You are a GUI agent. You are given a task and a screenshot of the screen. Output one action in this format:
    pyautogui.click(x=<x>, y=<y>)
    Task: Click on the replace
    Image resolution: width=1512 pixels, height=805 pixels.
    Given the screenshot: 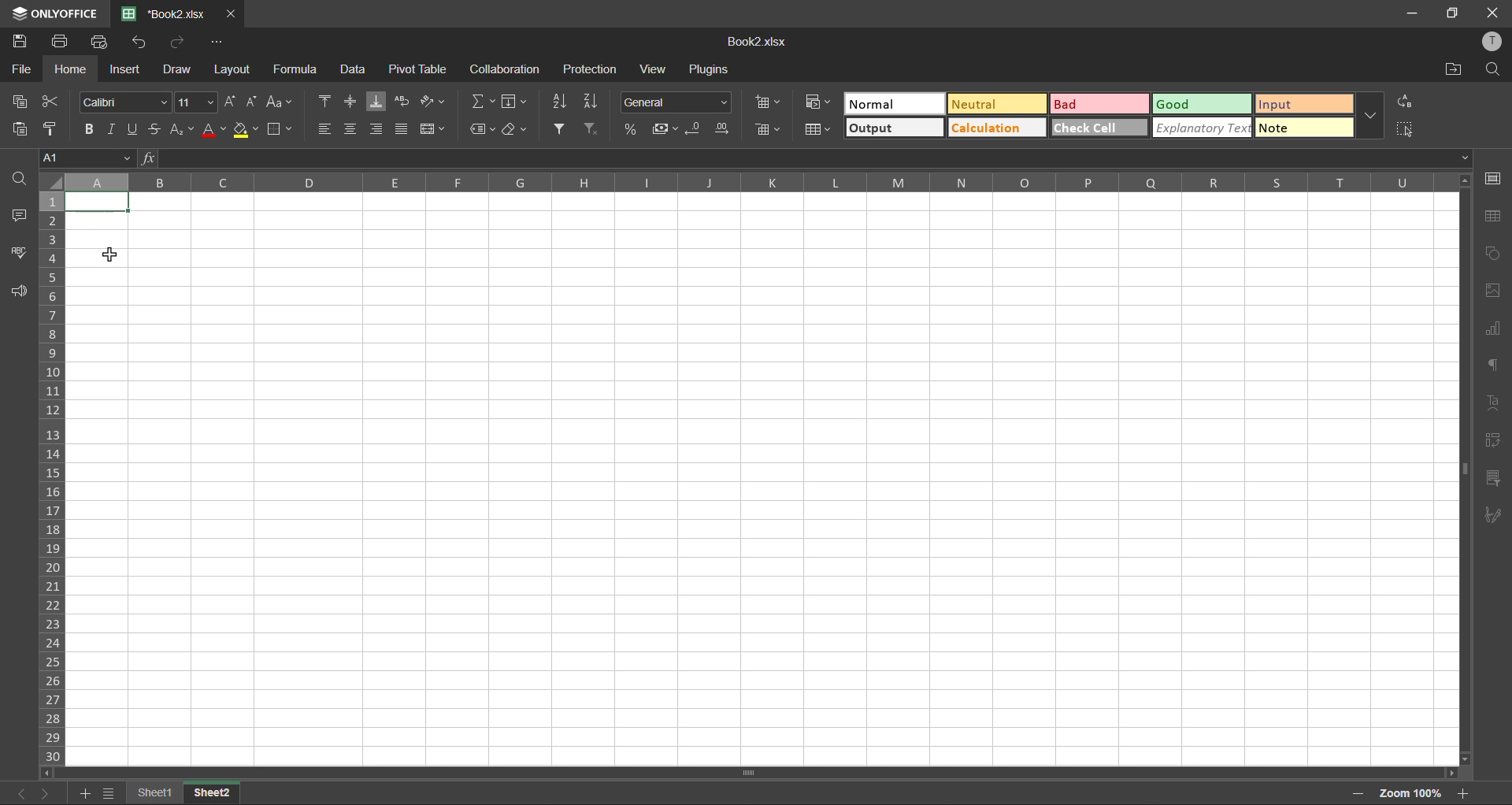 What is the action you would take?
    pyautogui.click(x=1405, y=103)
    